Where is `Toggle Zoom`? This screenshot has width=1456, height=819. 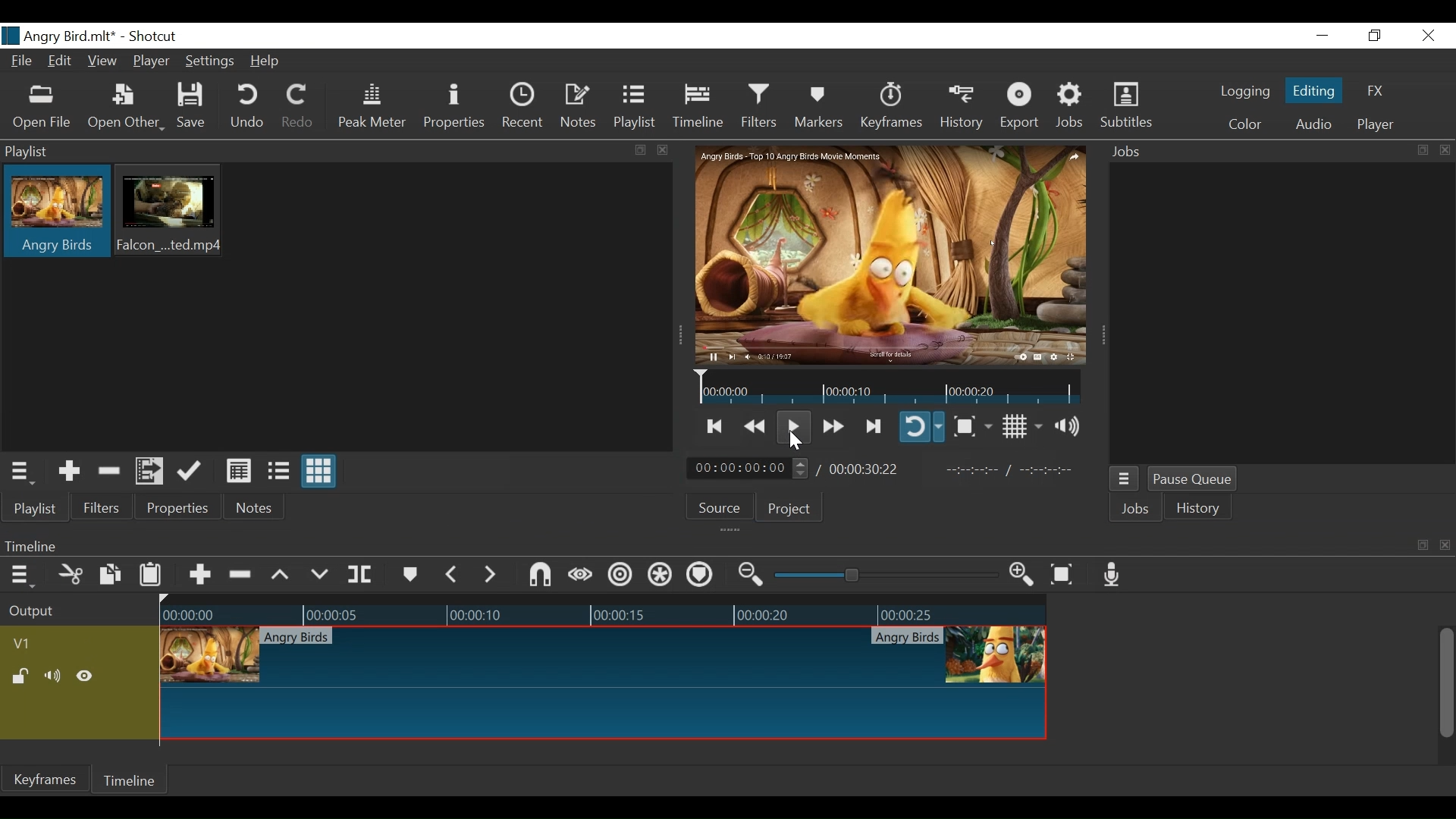 Toggle Zoom is located at coordinates (972, 426).